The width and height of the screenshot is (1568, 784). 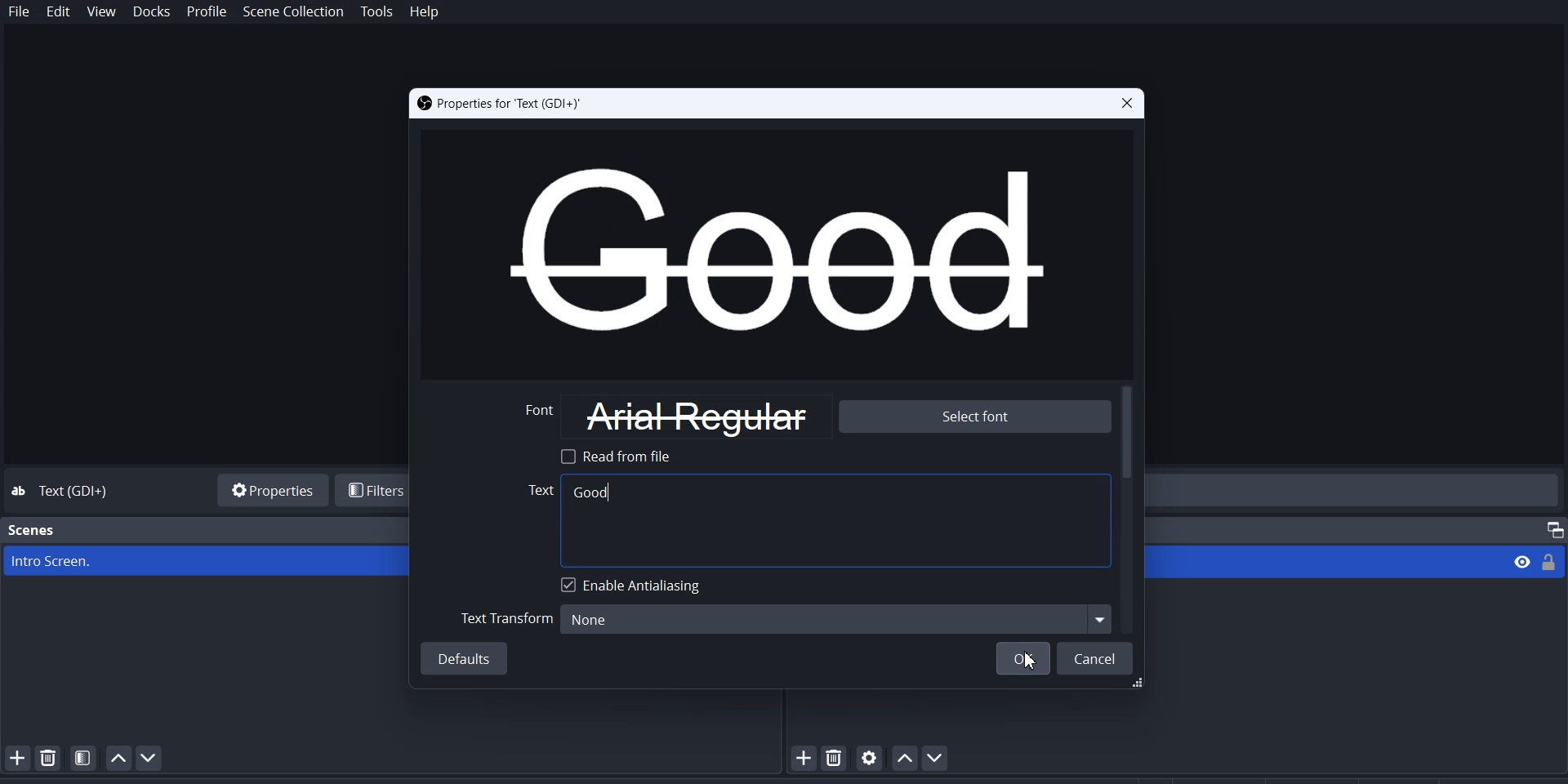 What do you see at coordinates (83, 757) in the screenshot?
I see `Open Scene Filter` at bounding box center [83, 757].